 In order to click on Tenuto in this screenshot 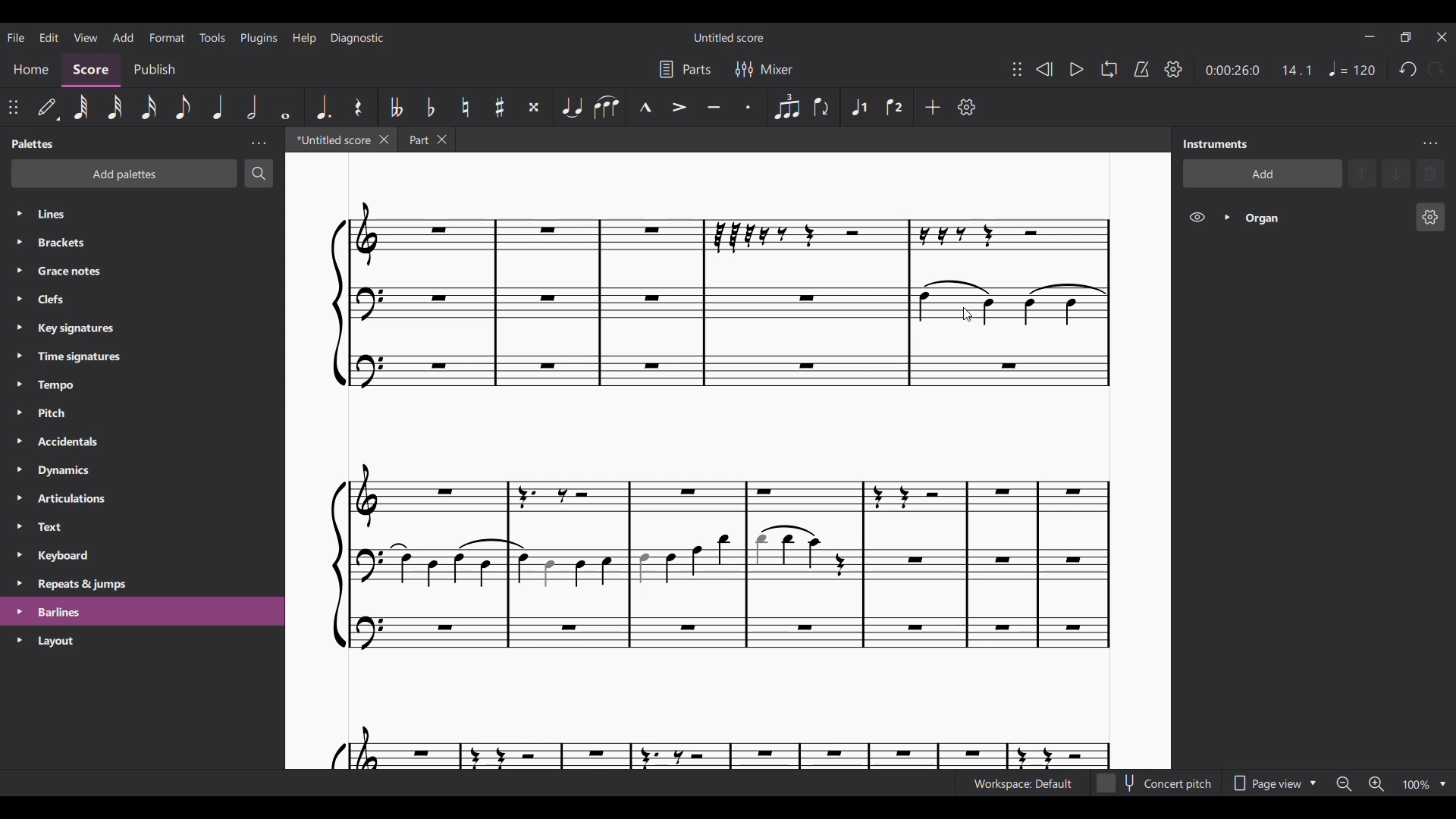, I will do `click(714, 107)`.